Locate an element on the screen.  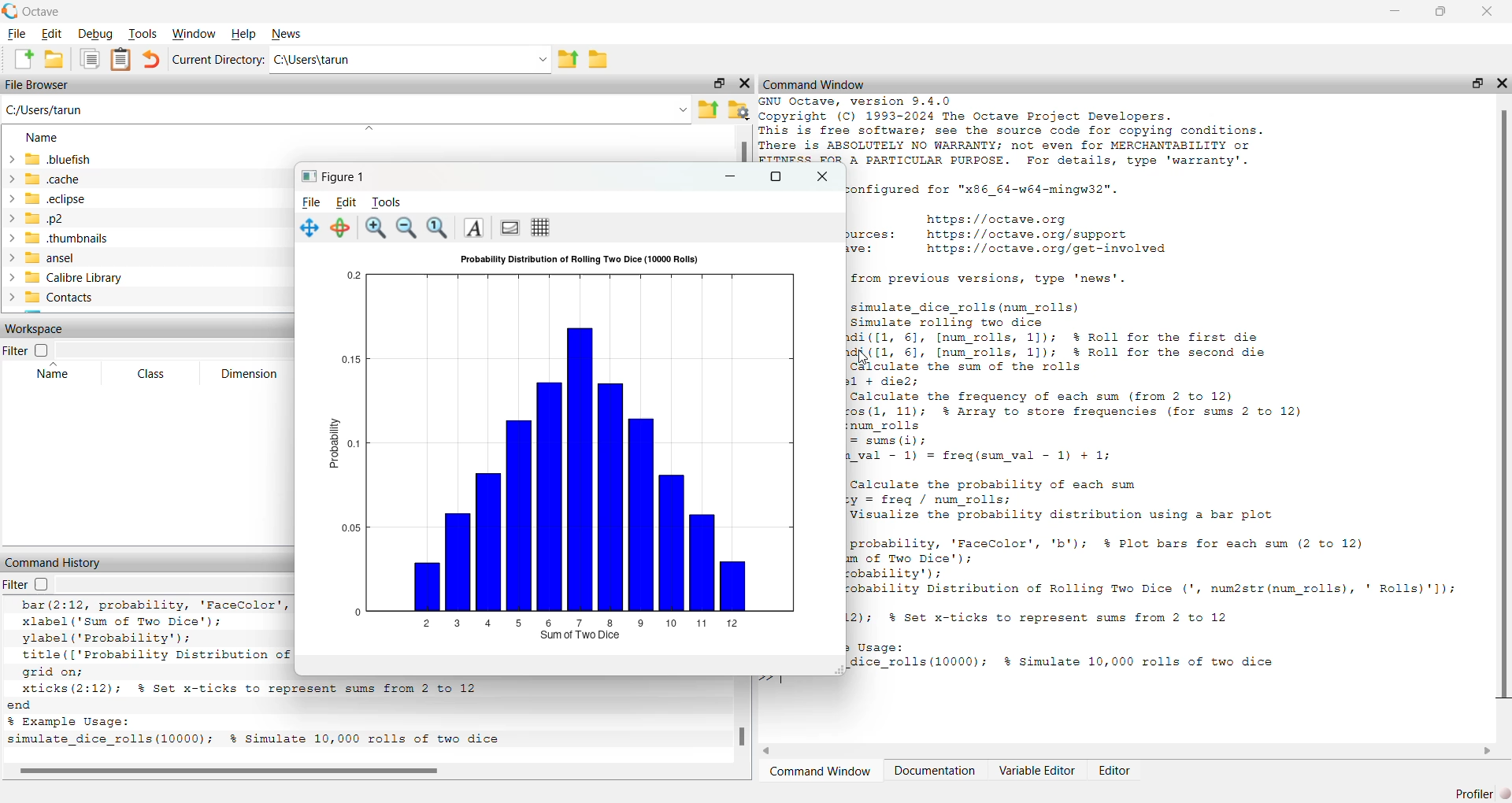
minimise is located at coordinates (721, 174).